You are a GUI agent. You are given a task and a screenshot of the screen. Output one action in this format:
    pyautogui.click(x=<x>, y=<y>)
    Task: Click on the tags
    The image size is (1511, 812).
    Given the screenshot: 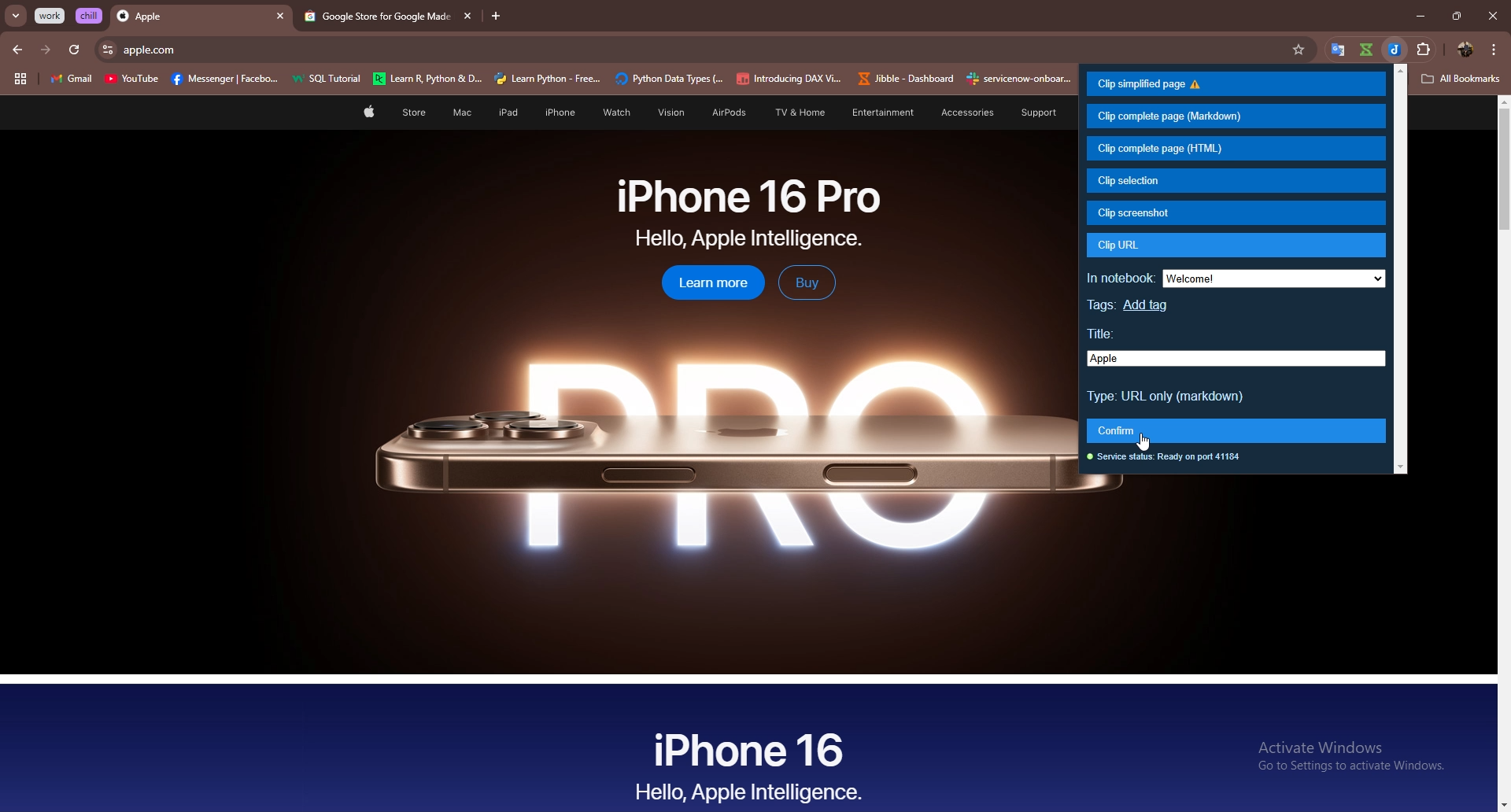 What is the action you would take?
    pyautogui.click(x=1103, y=308)
    